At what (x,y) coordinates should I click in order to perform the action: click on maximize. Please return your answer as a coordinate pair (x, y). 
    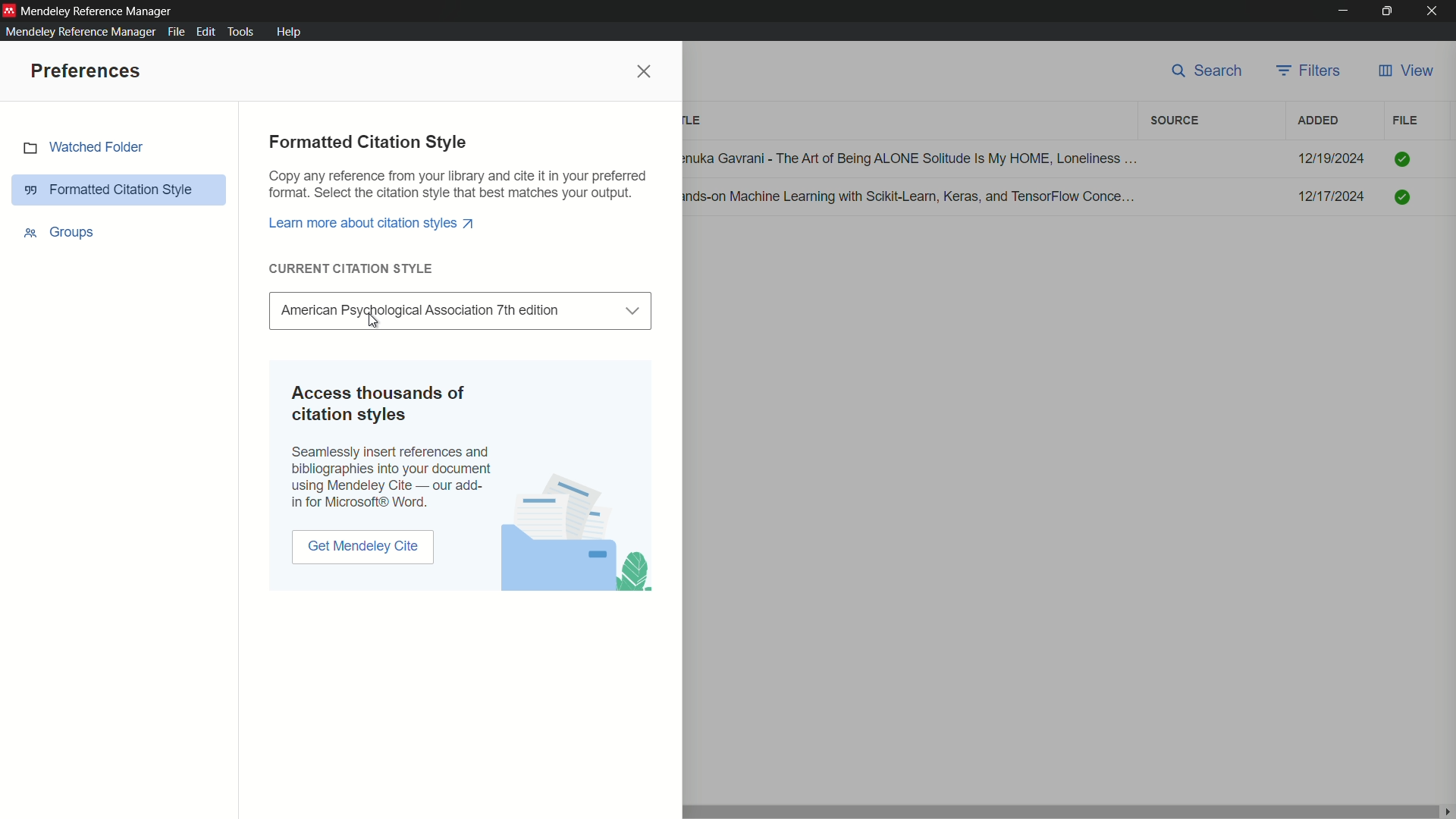
    Looking at the image, I should click on (1389, 11).